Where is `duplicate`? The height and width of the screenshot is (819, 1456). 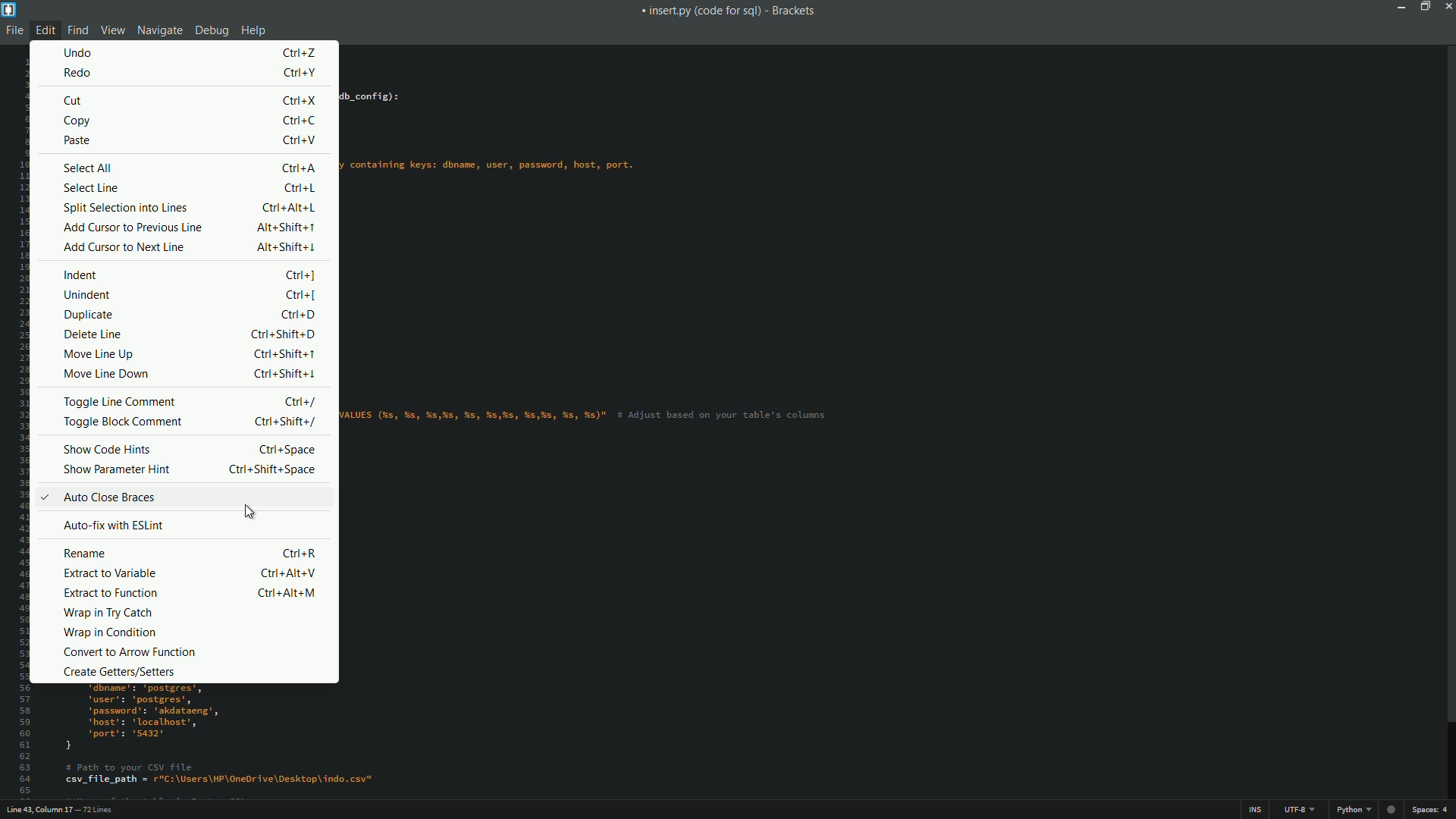
duplicate is located at coordinates (89, 314).